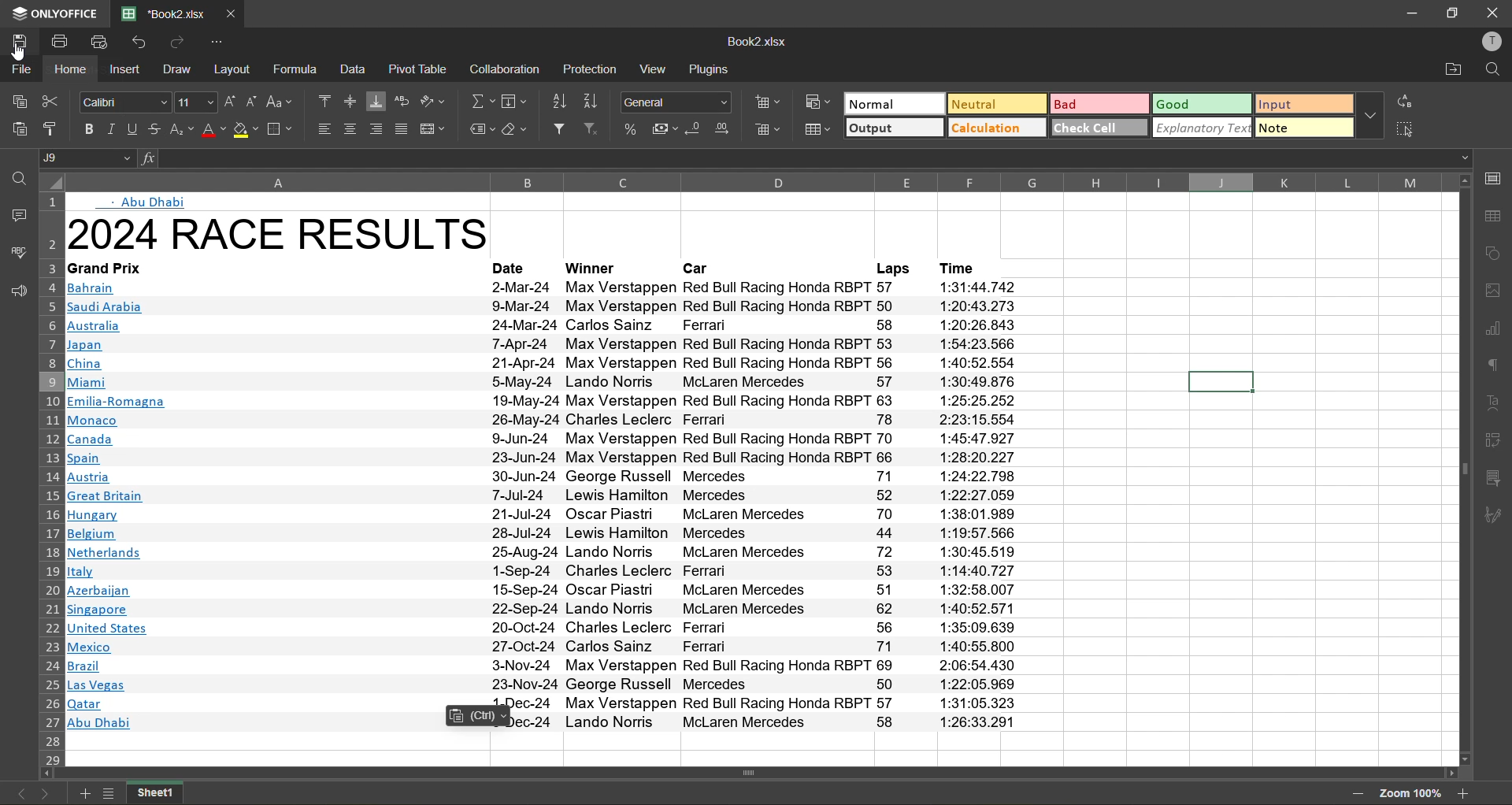 The height and width of the screenshot is (805, 1512). Describe the element at coordinates (545, 476) in the screenshot. I see `text info` at that location.